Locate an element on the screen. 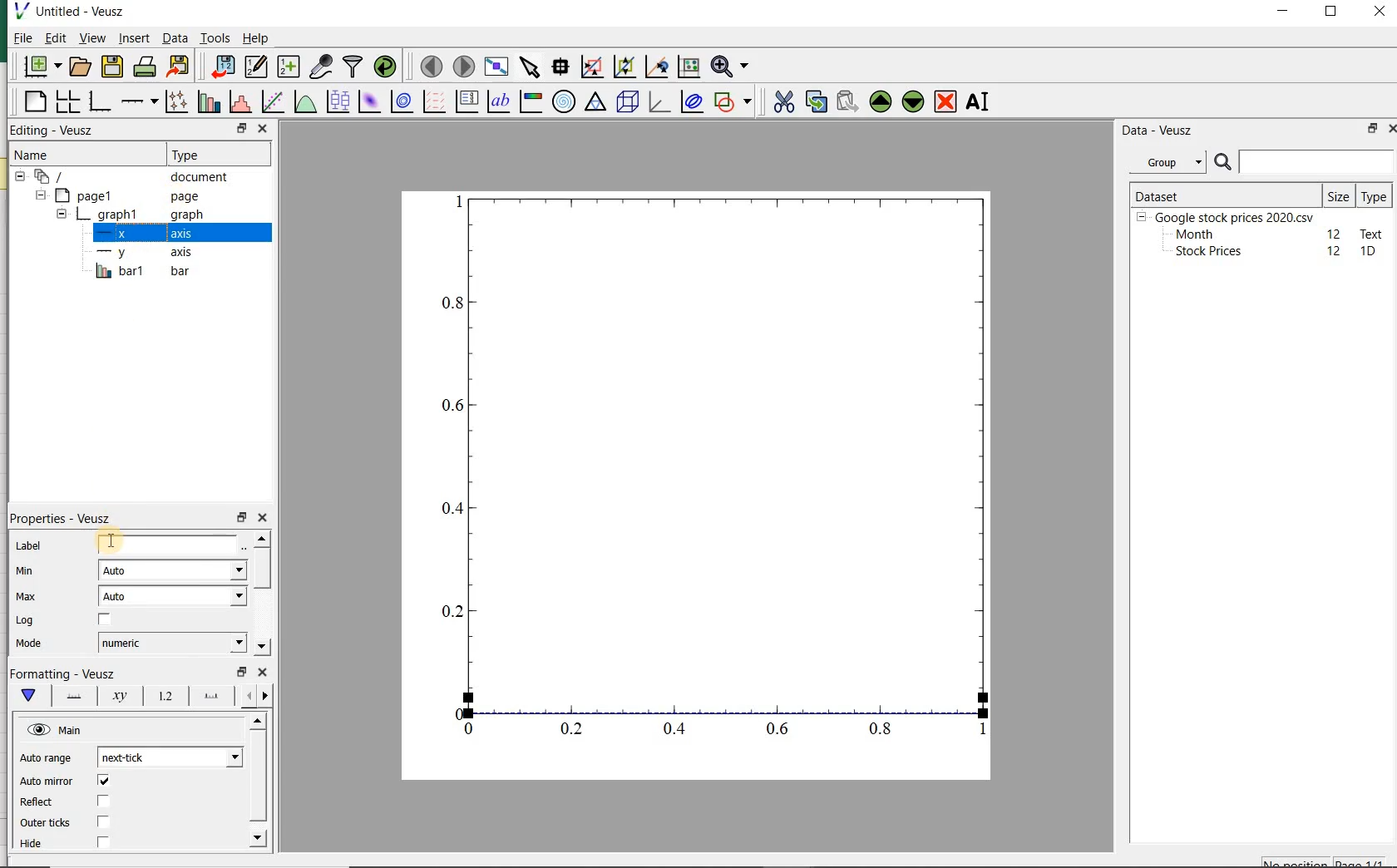 The image size is (1397, 868). Main is located at coordinates (56, 730).